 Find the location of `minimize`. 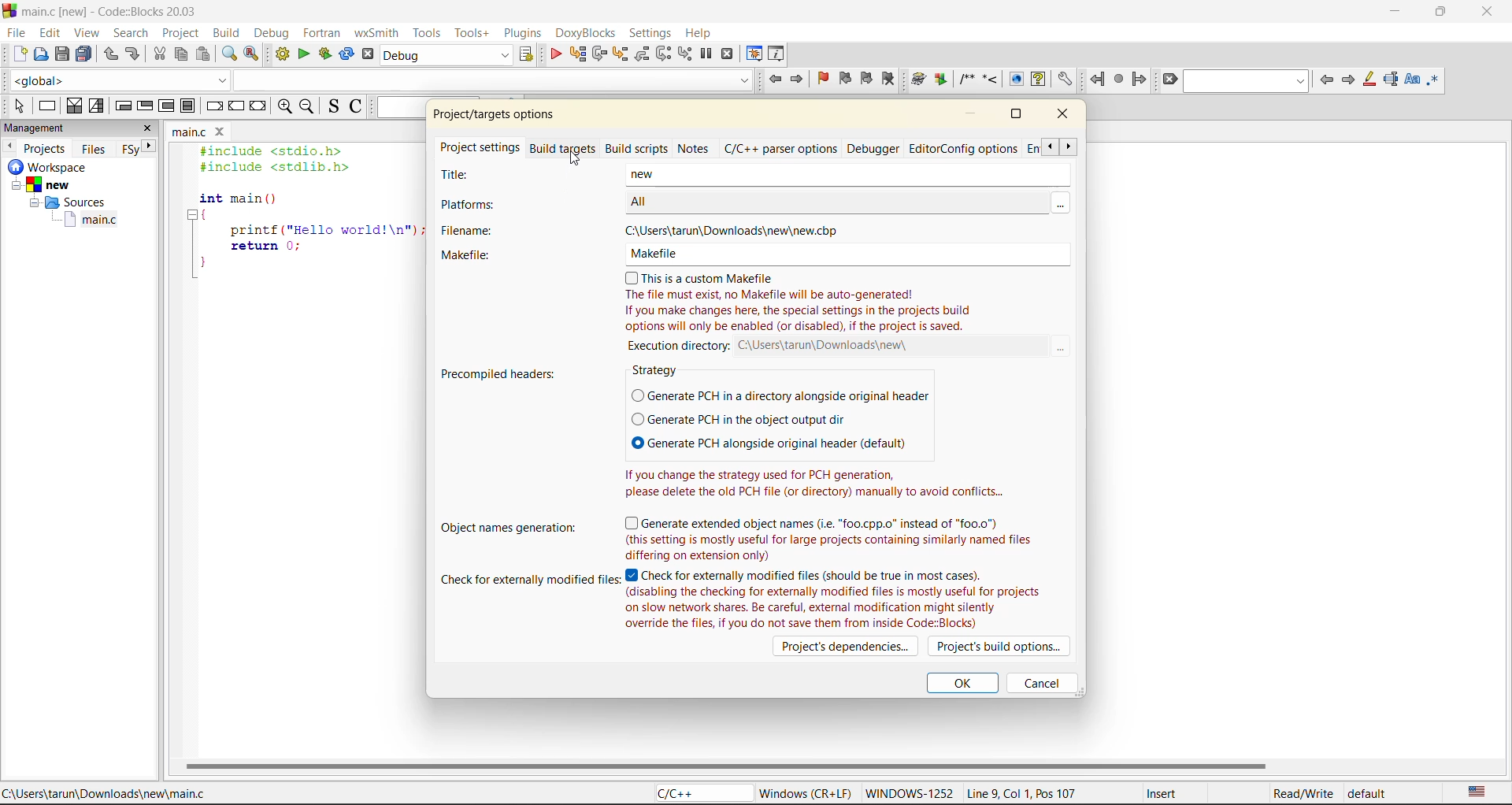

minimize is located at coordinates (976, 113).